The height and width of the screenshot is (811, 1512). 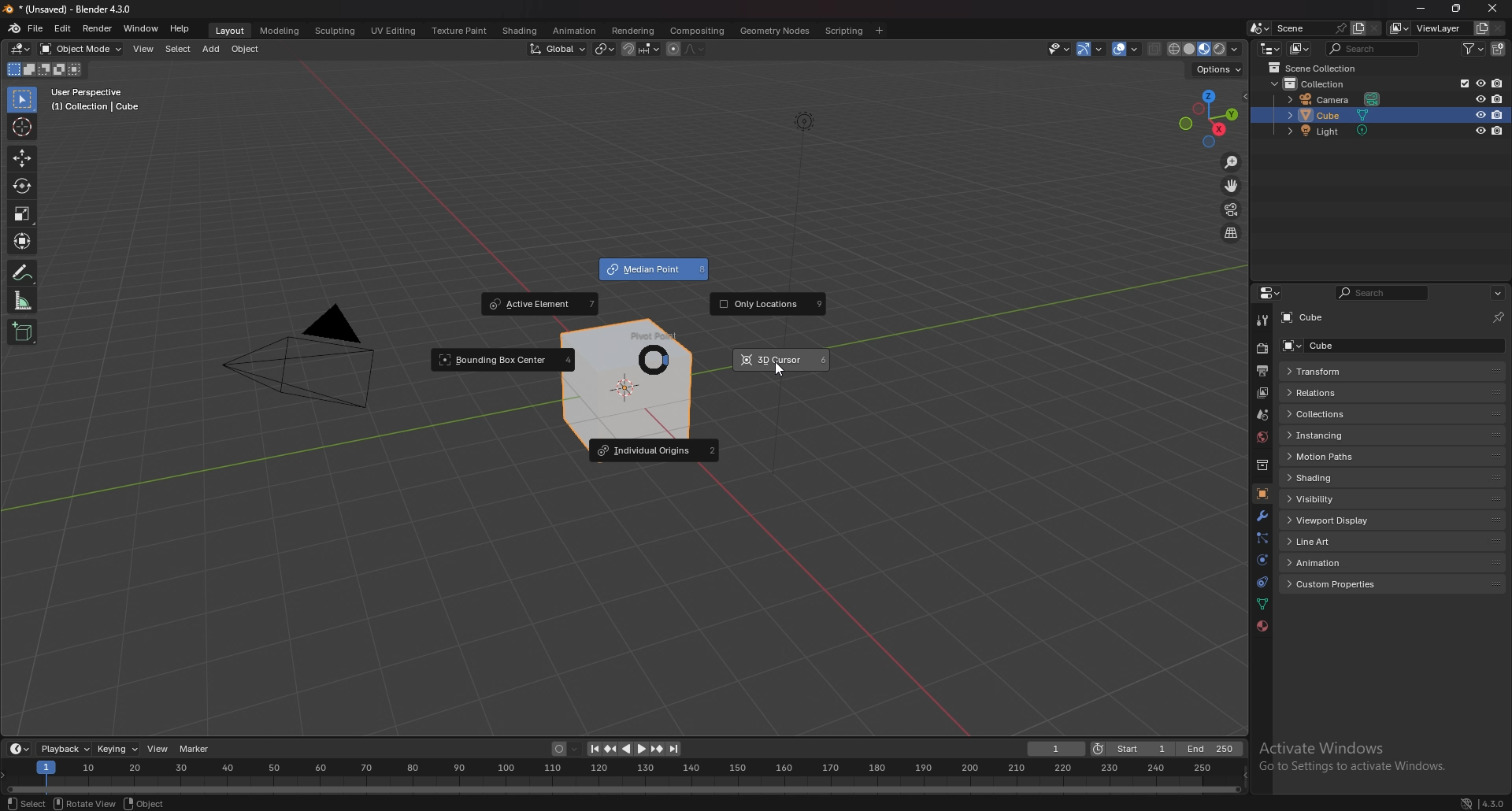 I want to click on collection, so click(x=1310, y=83).